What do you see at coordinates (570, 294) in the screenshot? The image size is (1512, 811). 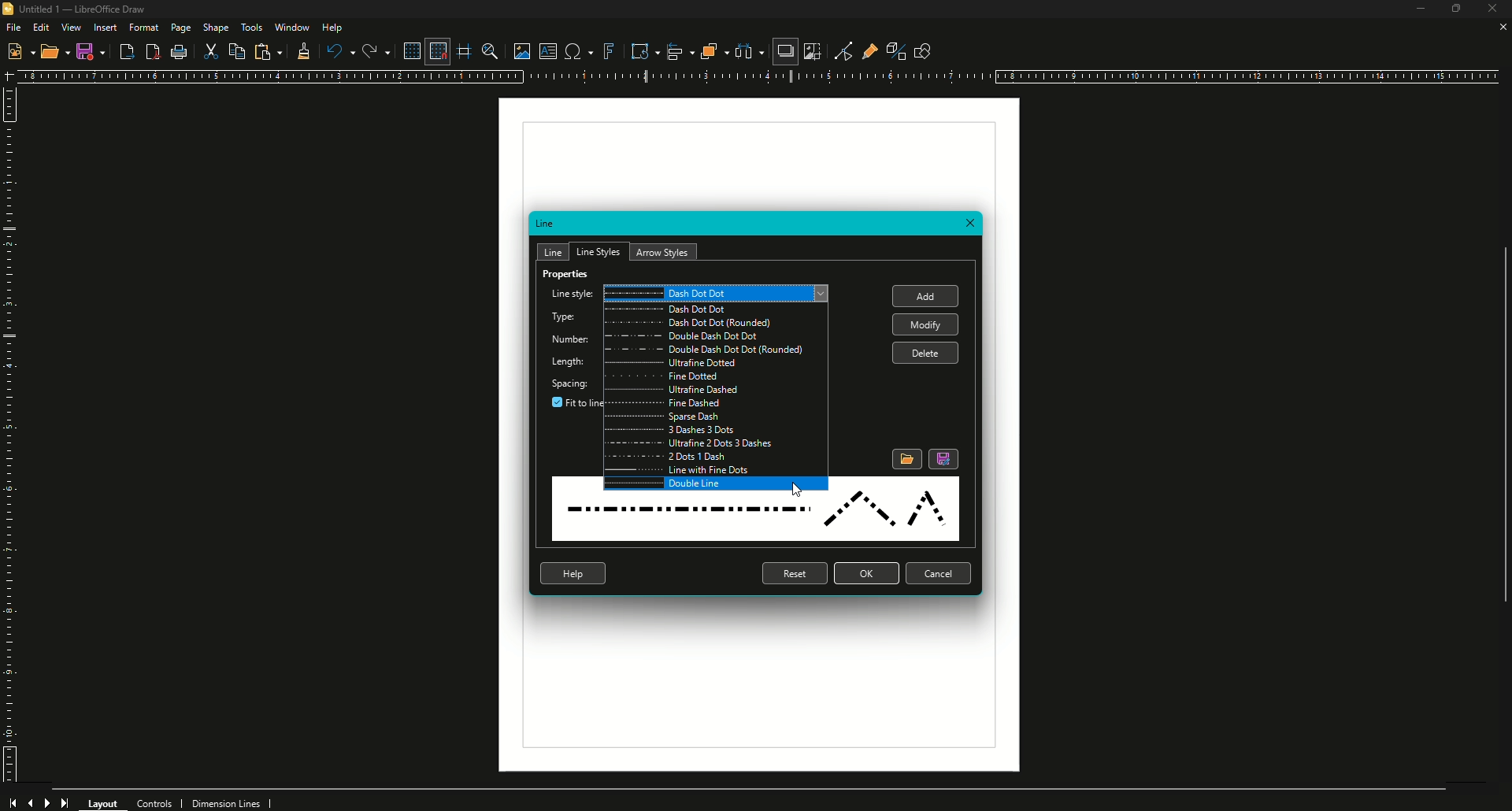 I see `Line Style` at bounding box center [570, 294].